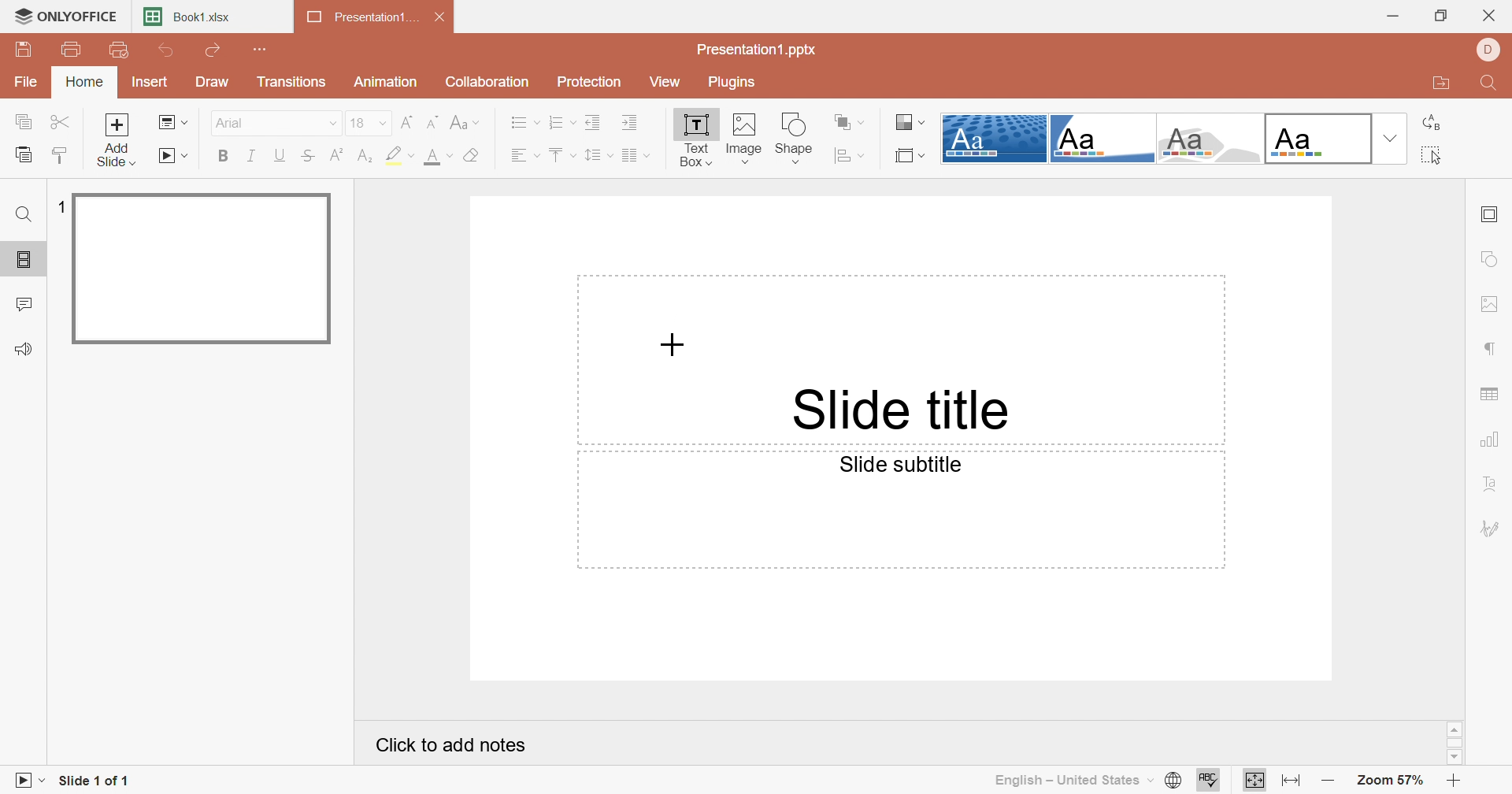  Describe the element at coordinates (254, 156) in the screenshot. I see `Italic` at that location.